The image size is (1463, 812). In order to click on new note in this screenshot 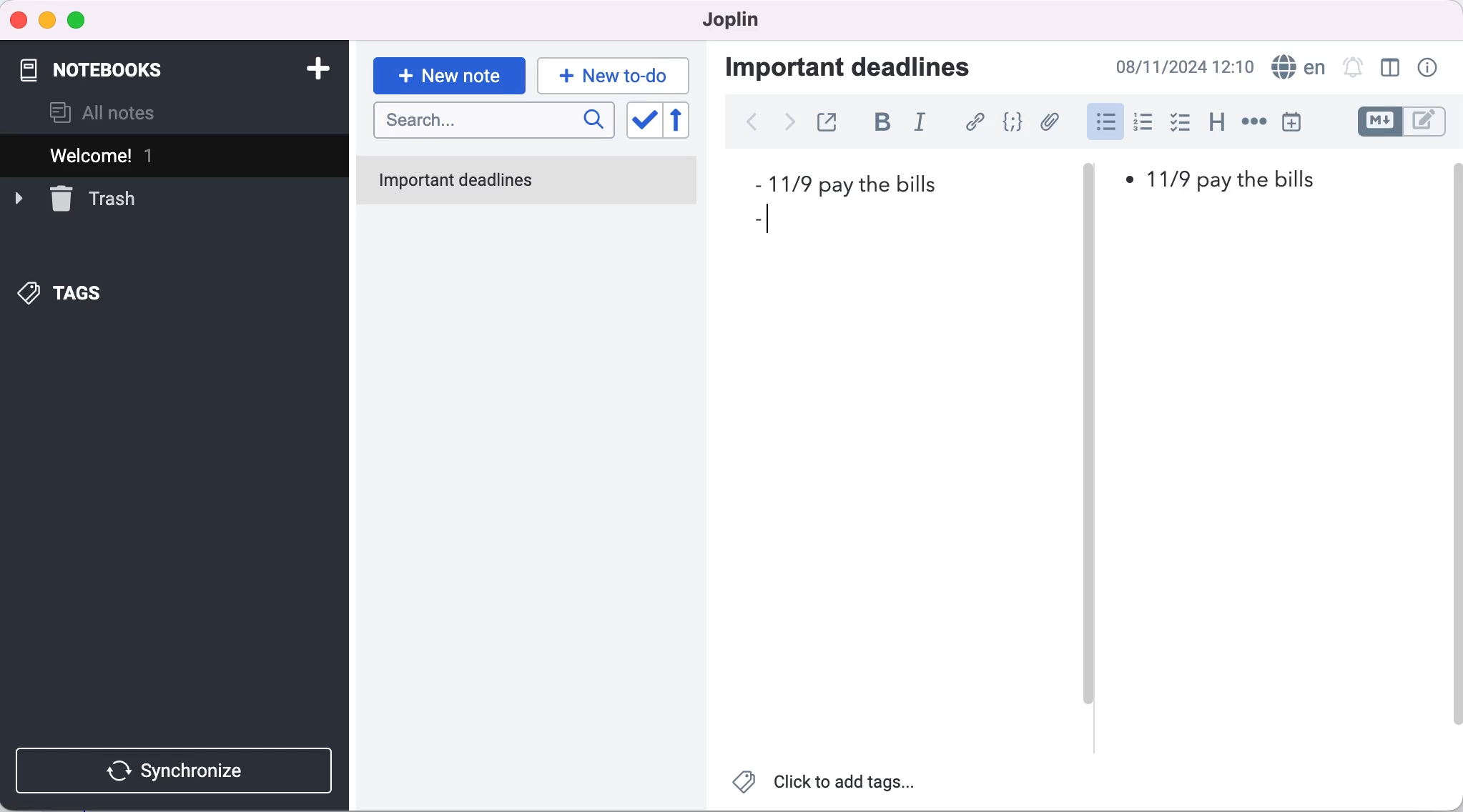, I will do `click(449, 71)`.